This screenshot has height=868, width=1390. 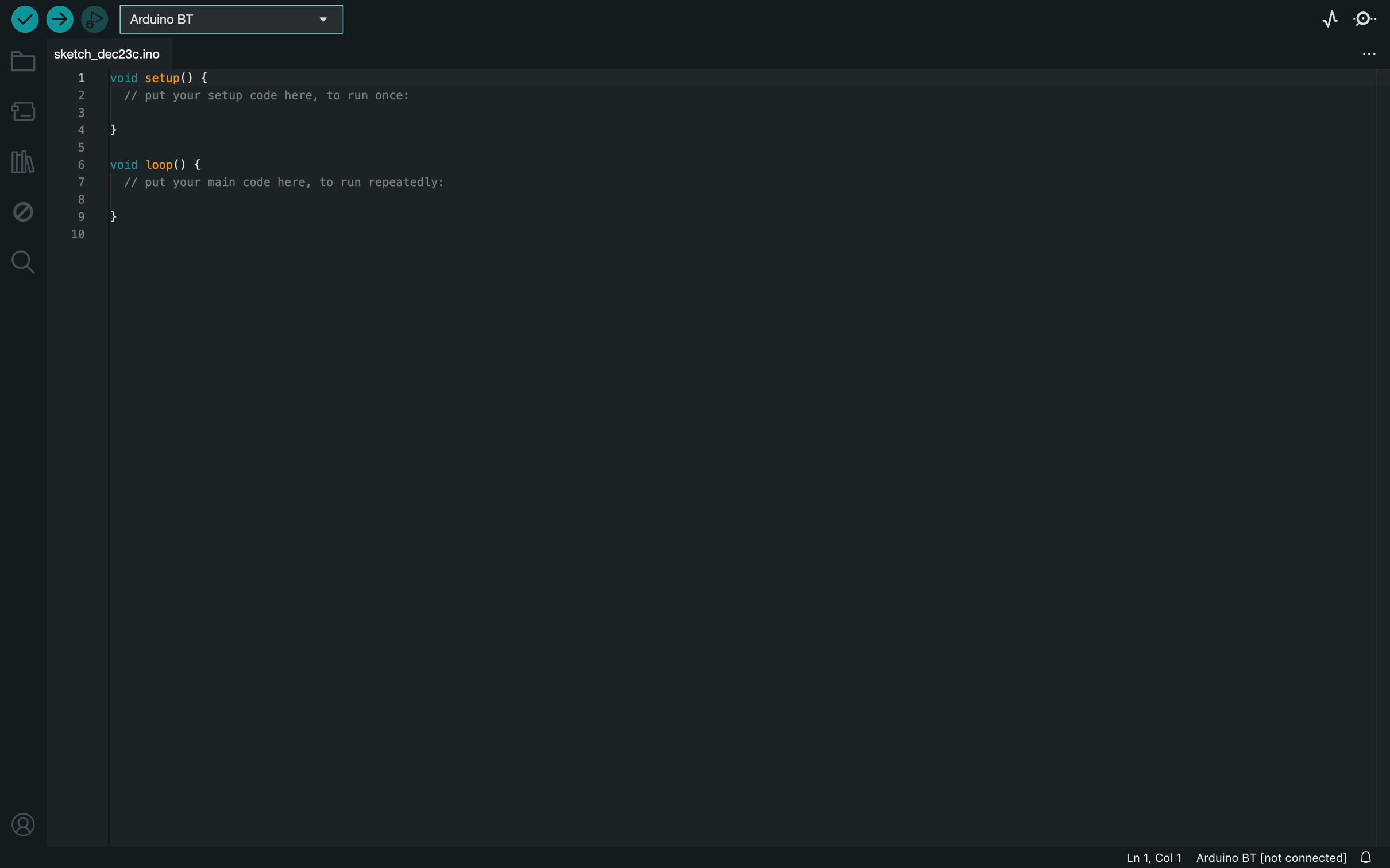 What do you see at coordinates (24, 211) in the screenshot?
I see `debugger` at bounding box center [24, 211].